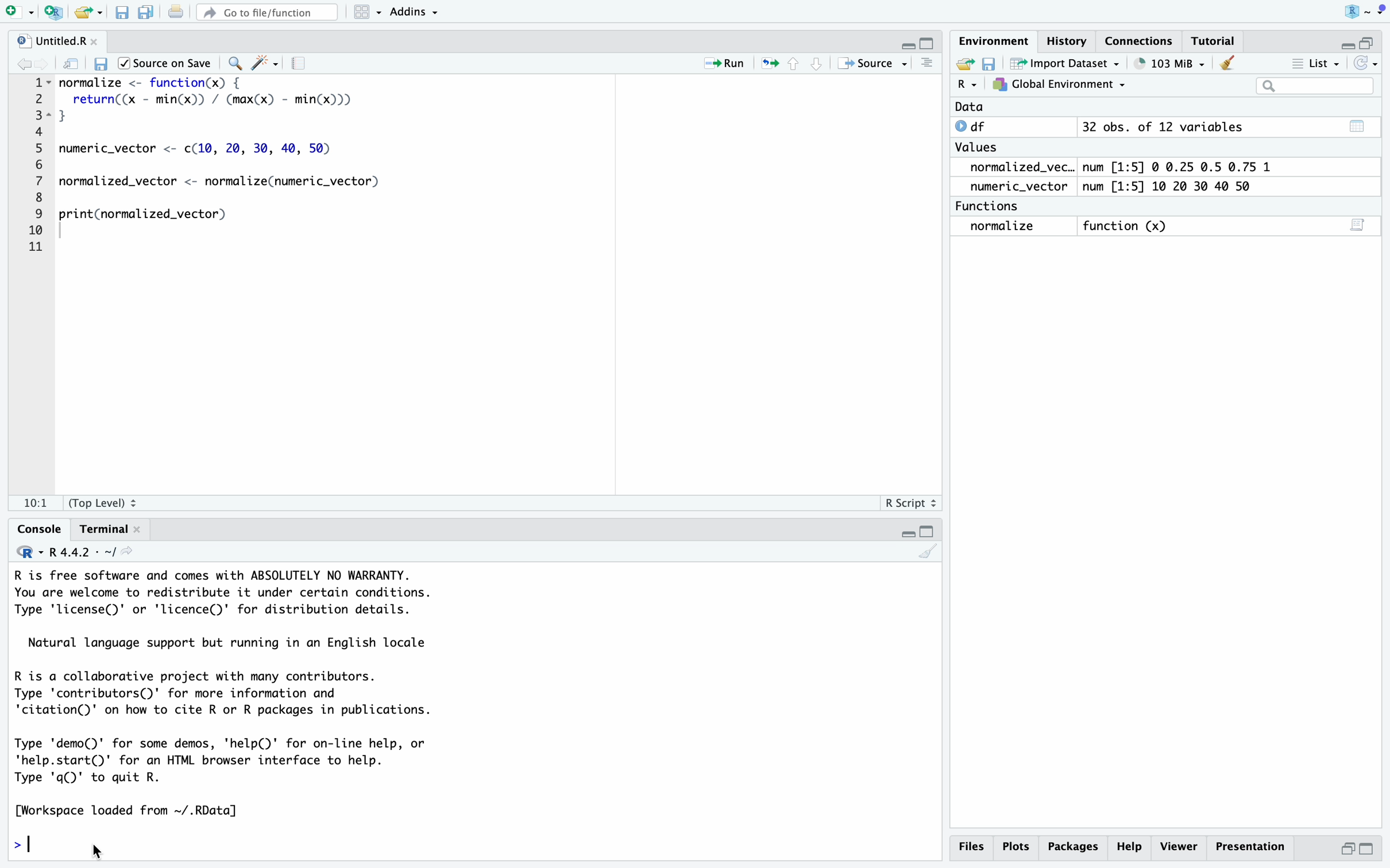 The image size is (1390, 868). Describe the element at coordinates (1346, 848) in the screenshot. I see `Minimize` at that location.